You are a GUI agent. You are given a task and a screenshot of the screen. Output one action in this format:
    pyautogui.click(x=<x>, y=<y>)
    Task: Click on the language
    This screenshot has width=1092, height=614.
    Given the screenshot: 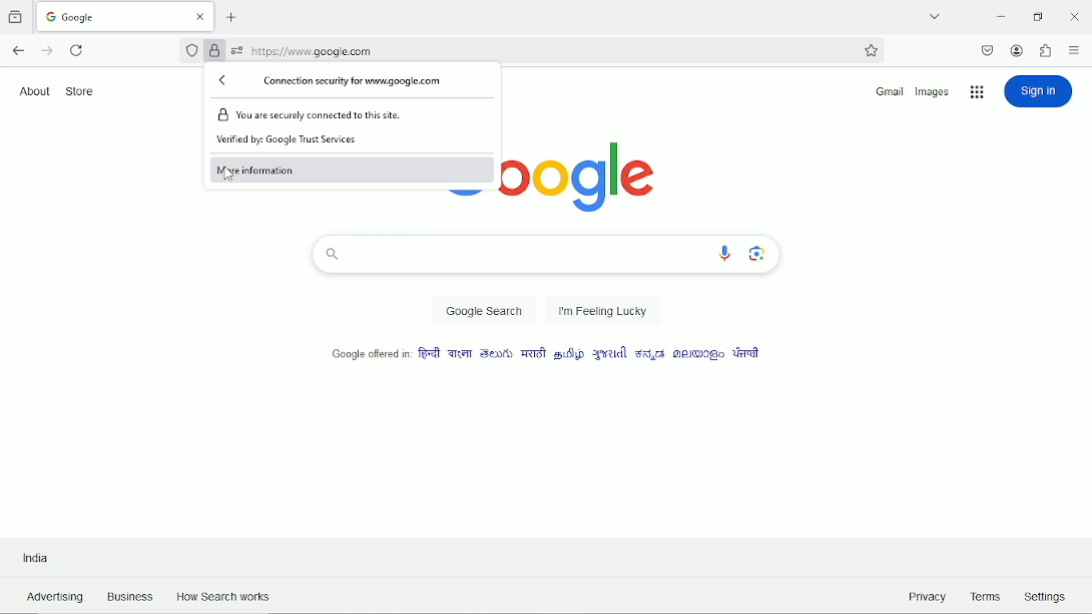 What is the action you would take?
    pyautogui.click(x=696, y=356)
    